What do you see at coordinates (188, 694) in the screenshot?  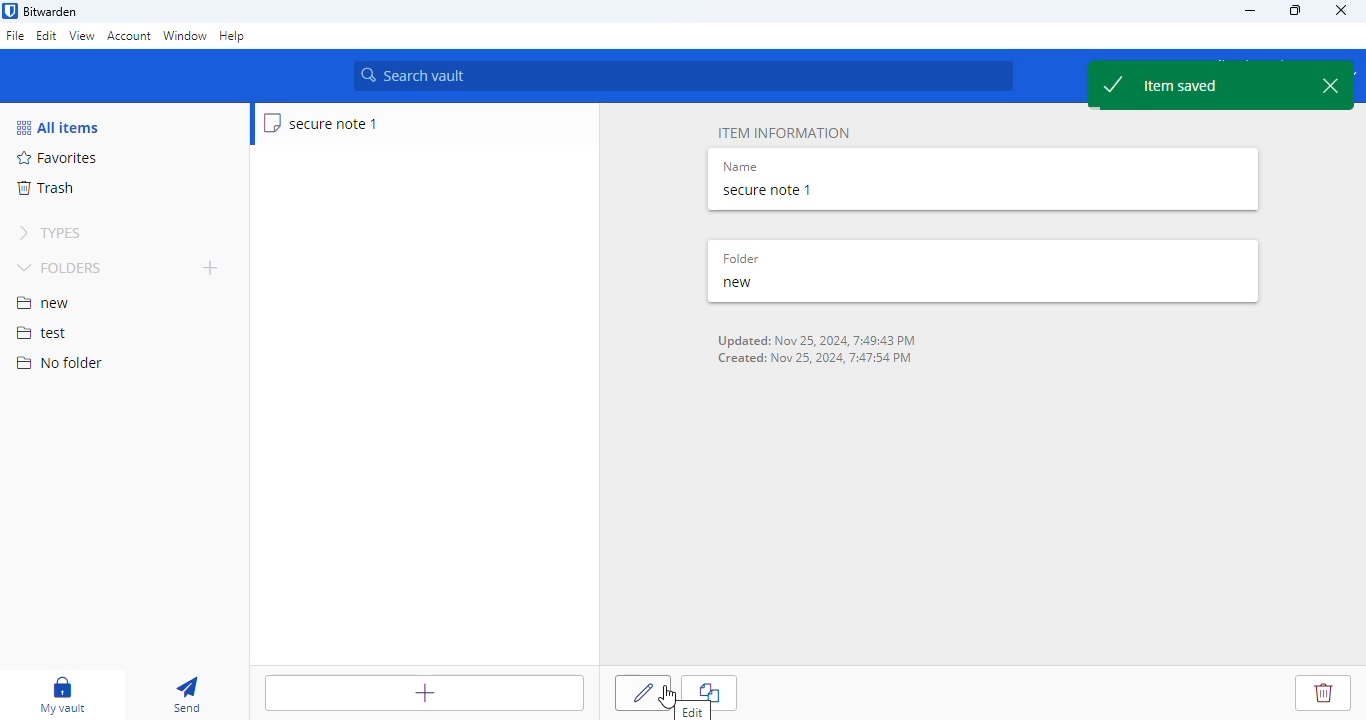 I see `send` at bounding box center [188, 694].